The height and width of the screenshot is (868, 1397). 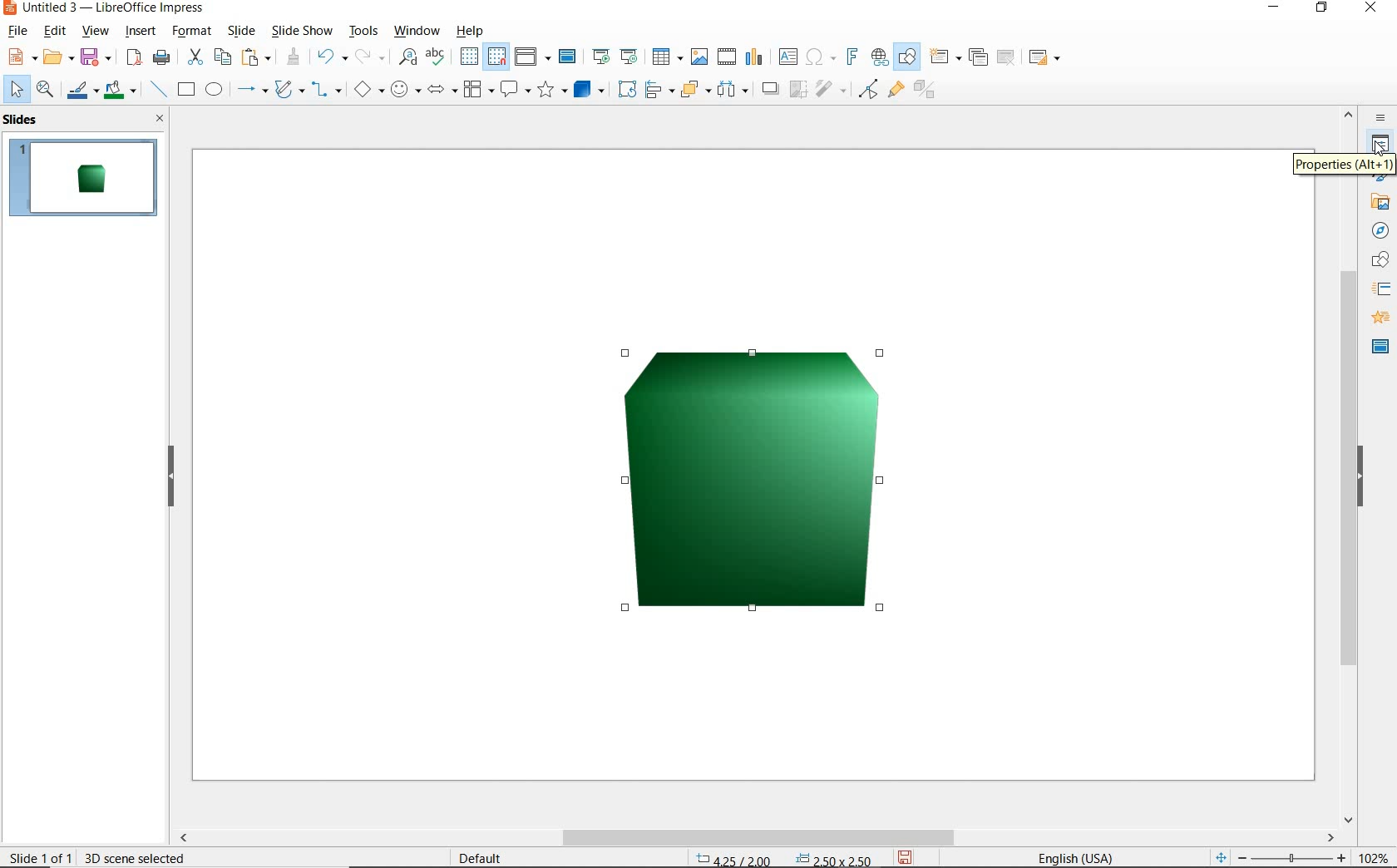 What do you see at coordinates (753, 839) in the screenshot?
I see `SCROLLBAR` at bounding box center [753, 839].